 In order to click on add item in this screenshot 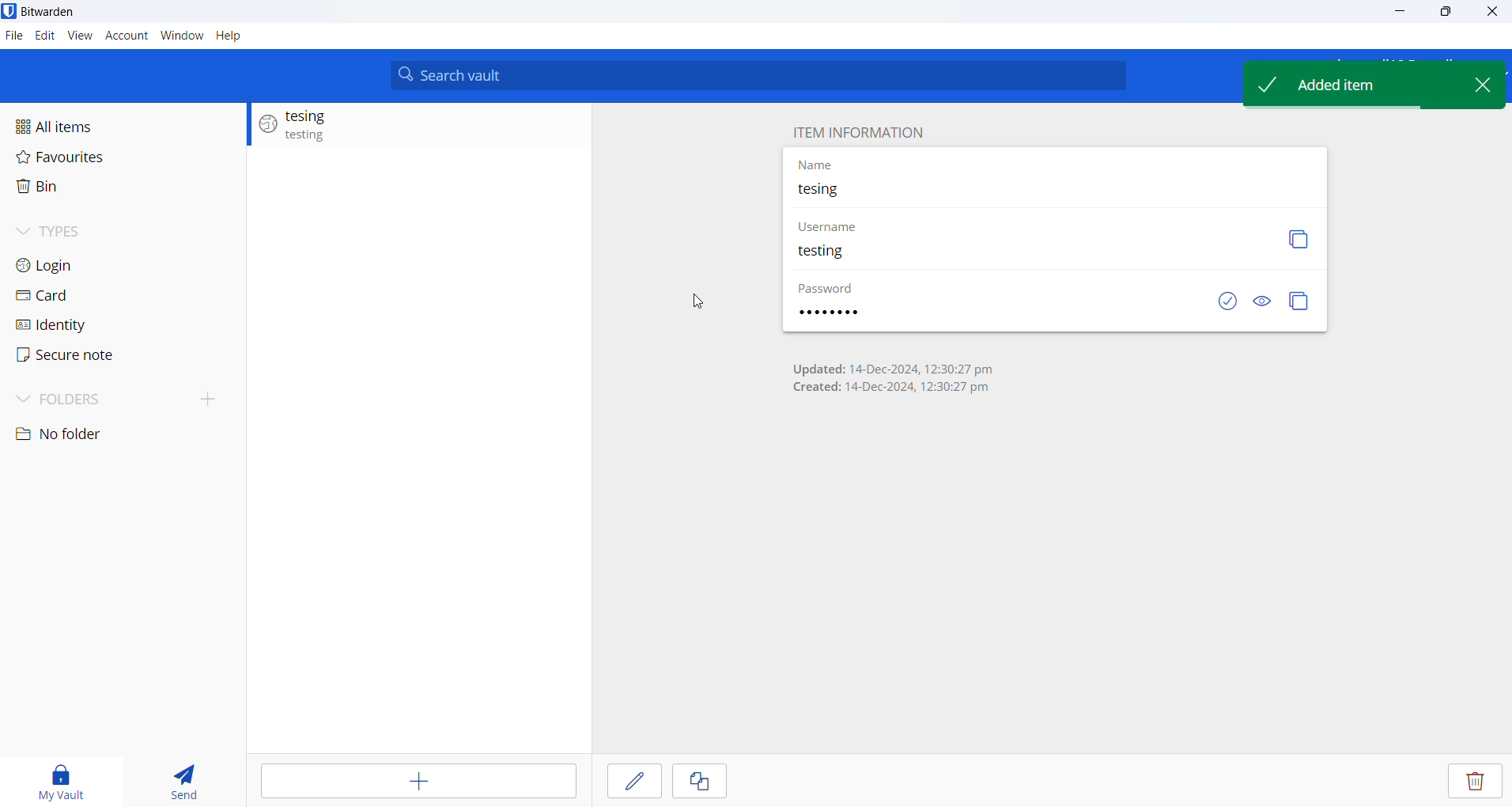, I will do `click(422, 784)`.